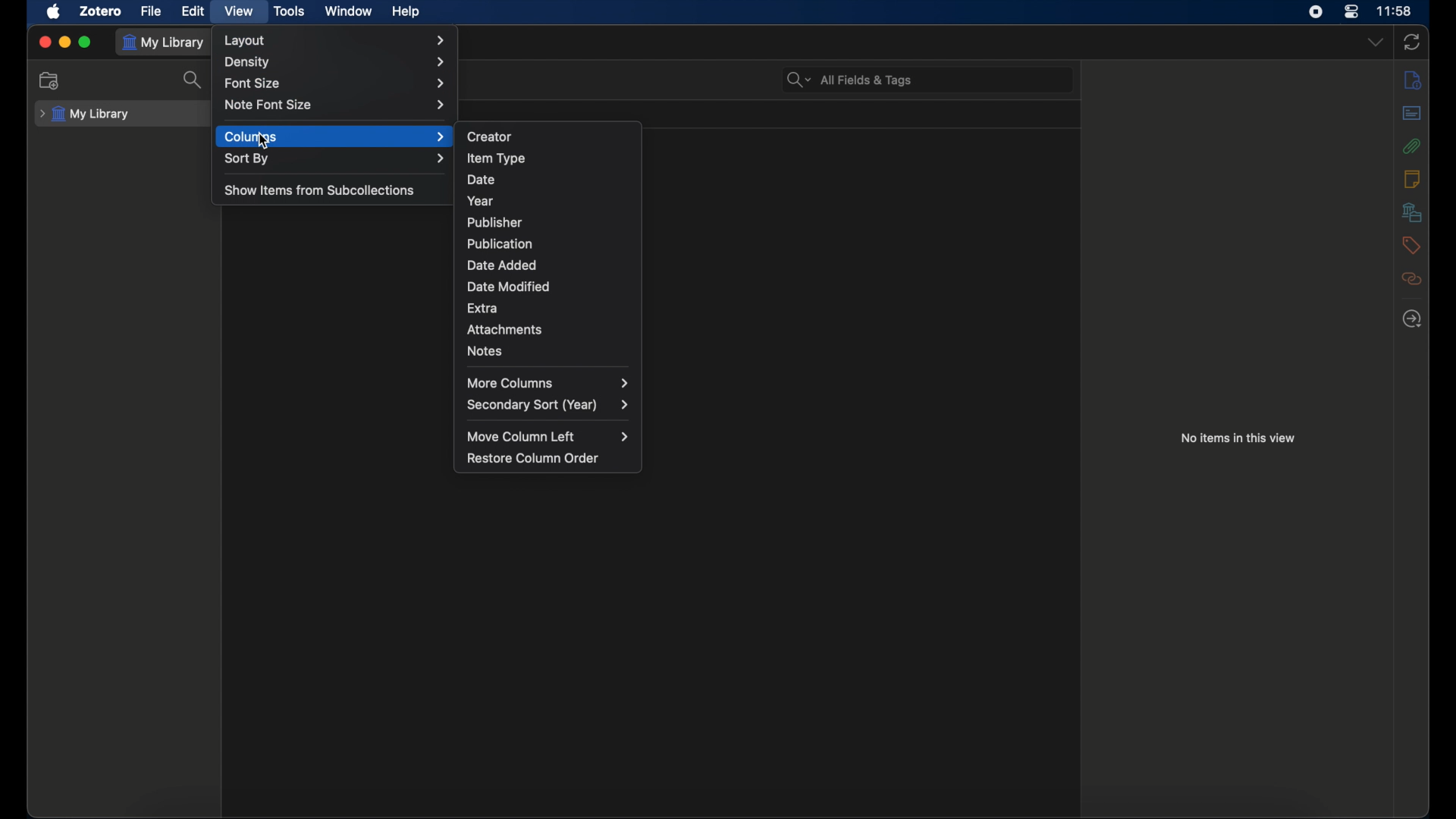 The width and height of the screenshot is (1456, 819). I want to click on item type, so click(497, 158).